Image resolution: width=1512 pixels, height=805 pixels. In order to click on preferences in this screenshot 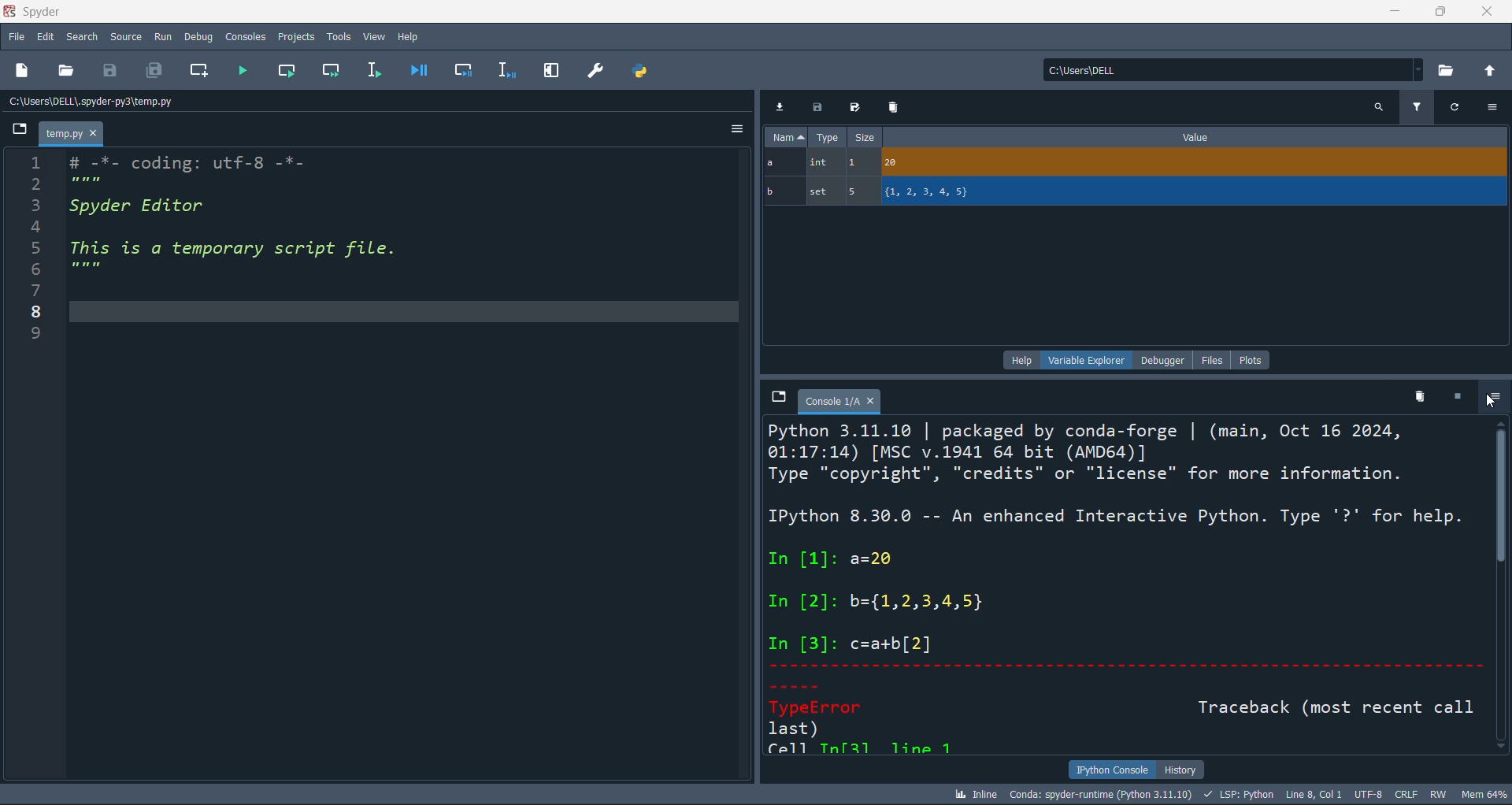, I will do `click(595, 69)`.